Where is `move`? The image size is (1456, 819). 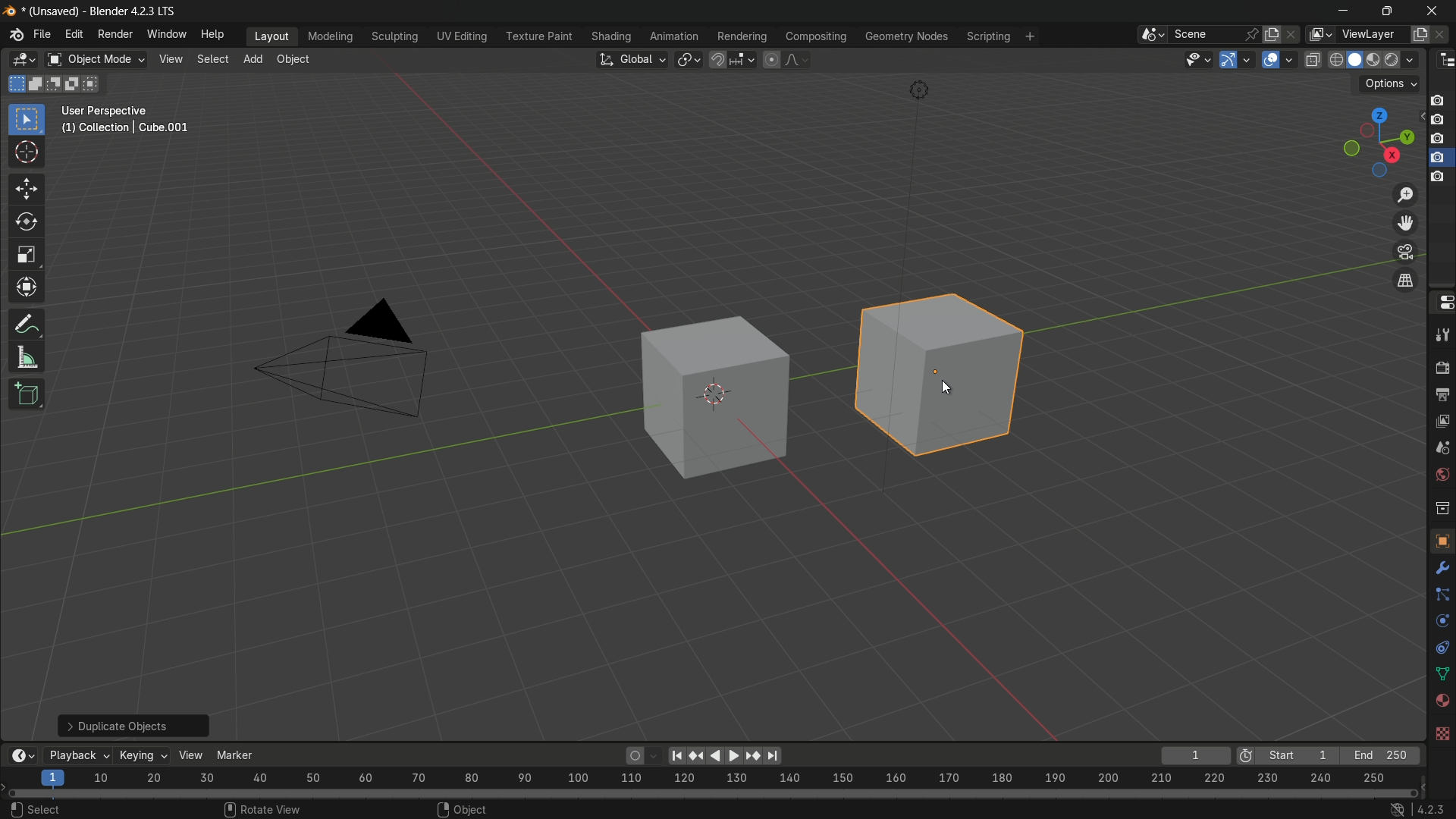
move is located at coordinates (26, 187).